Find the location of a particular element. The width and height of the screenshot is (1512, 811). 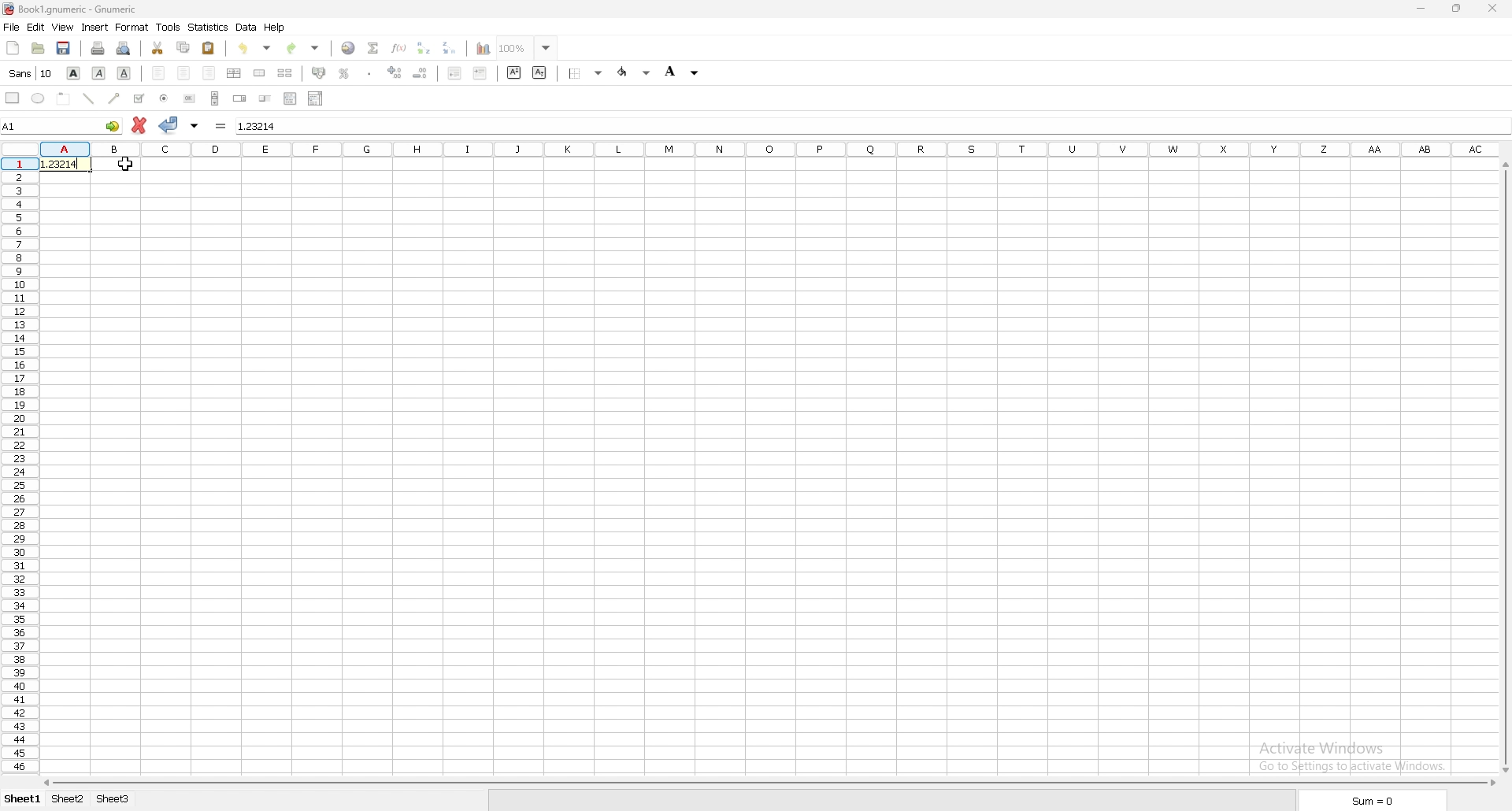

italic is located at coordinates (99, 72).